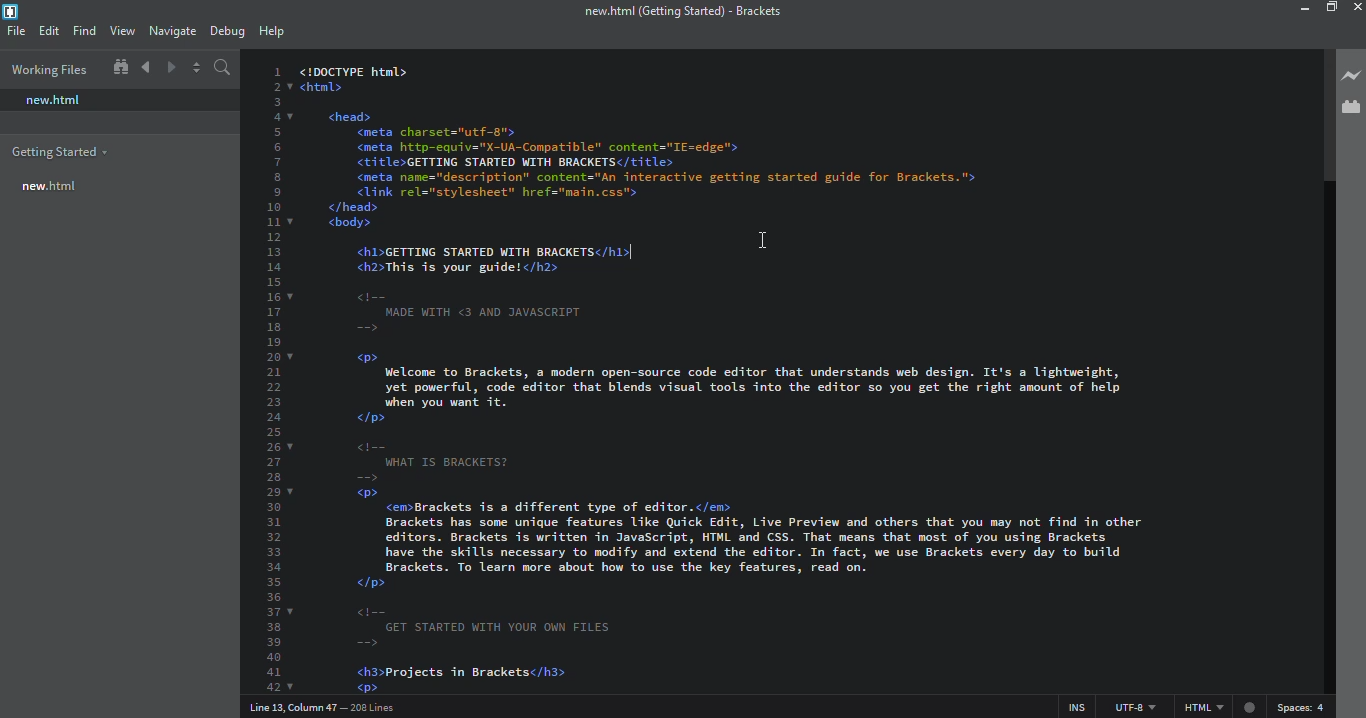  Describe the element at coordinates (740, 469) in the screenshot. I see `test code` at that location.